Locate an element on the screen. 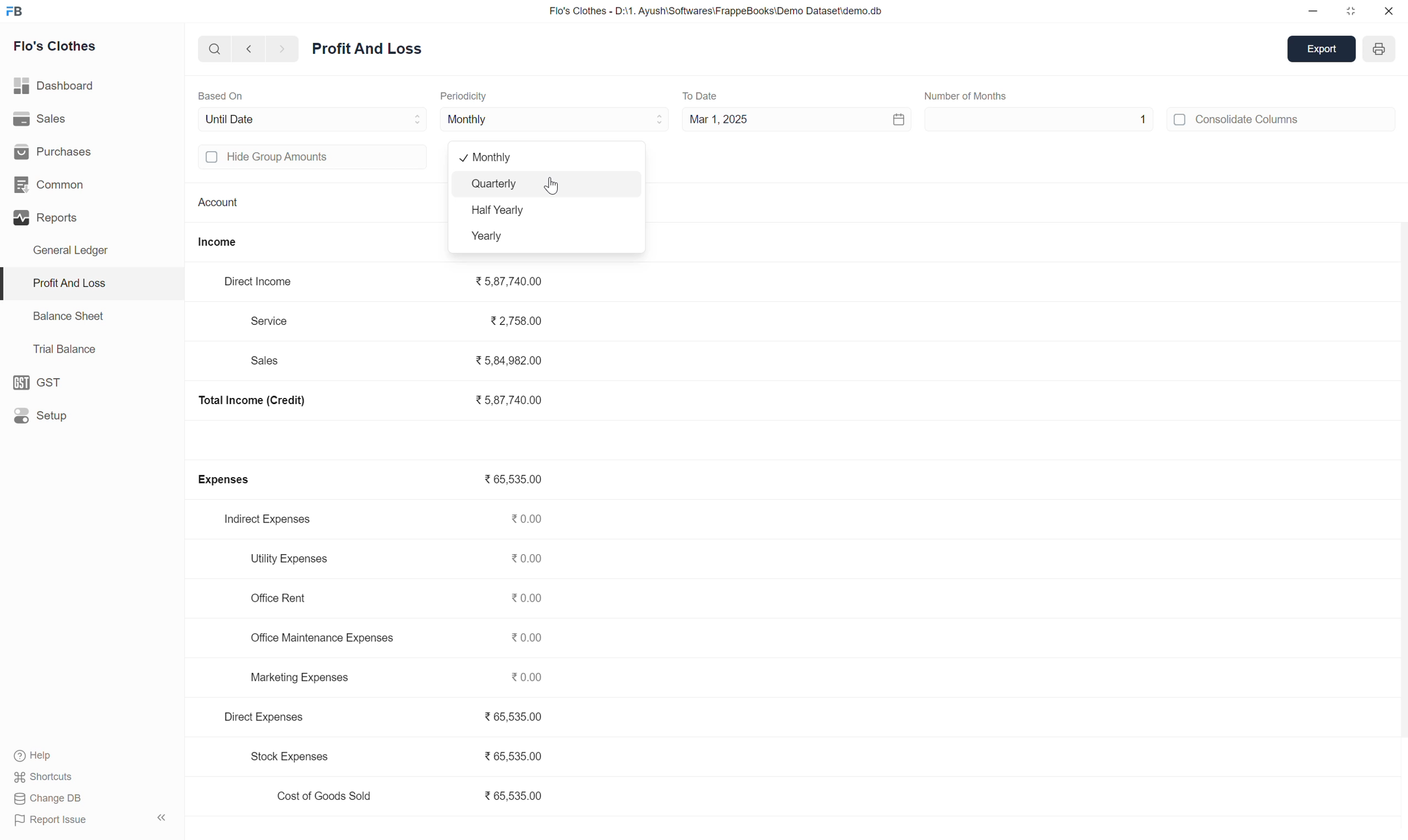 The width and height of the screenshot is (1408, 840). Profit And Loss is located at coordinates (64, 284).